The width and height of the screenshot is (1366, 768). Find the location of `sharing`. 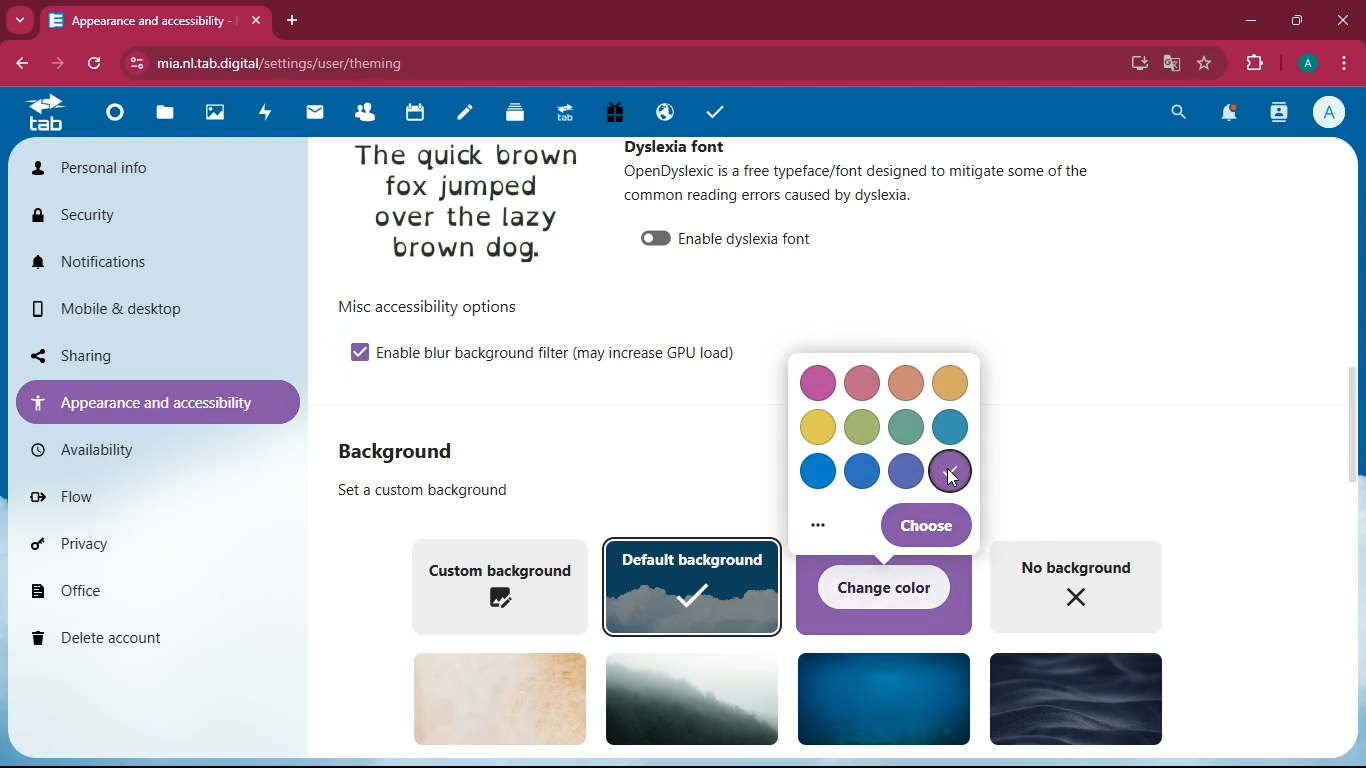

sharing is located at coordinates (140, 353).